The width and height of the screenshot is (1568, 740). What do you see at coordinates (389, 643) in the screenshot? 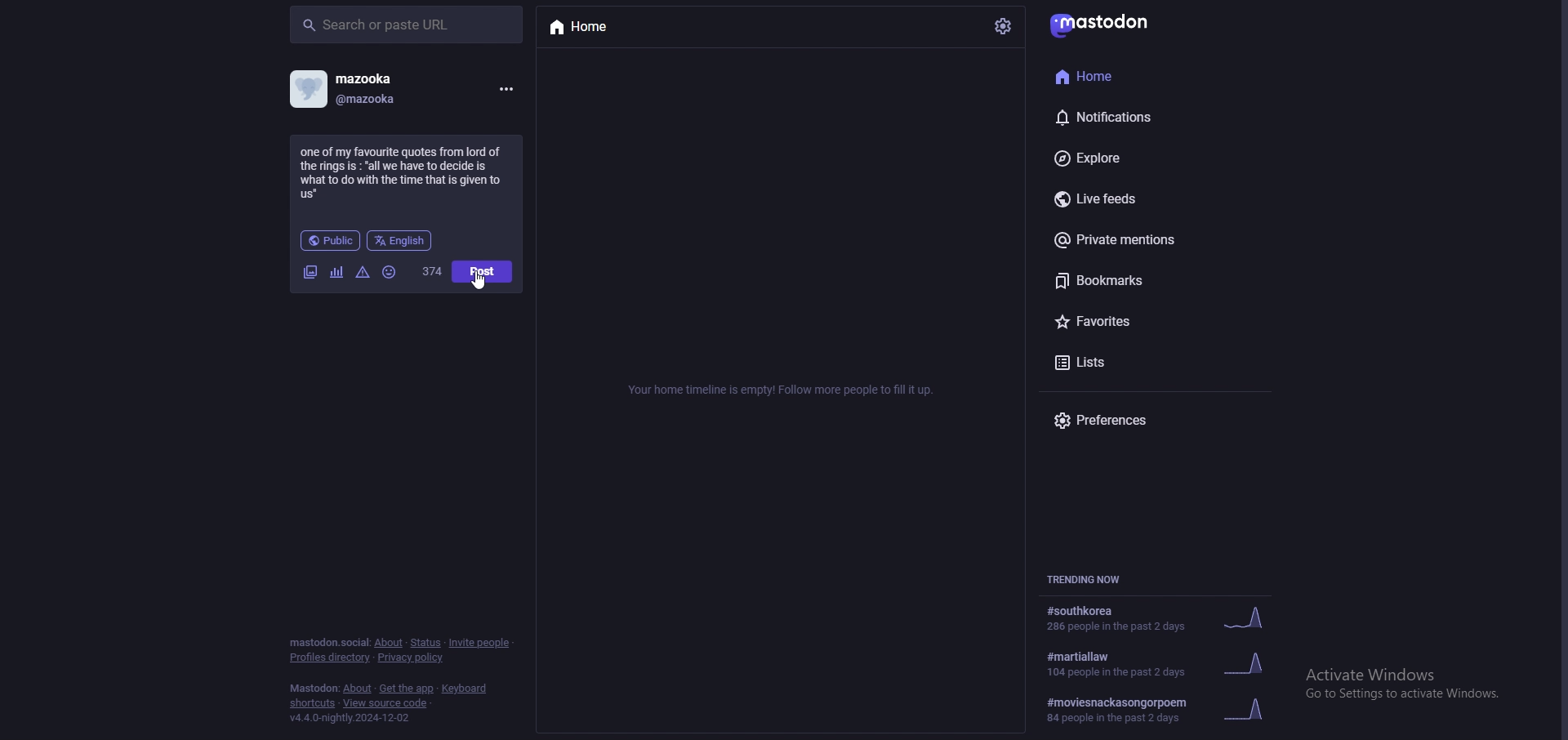
I see `about` at bounding box center [389, 643].